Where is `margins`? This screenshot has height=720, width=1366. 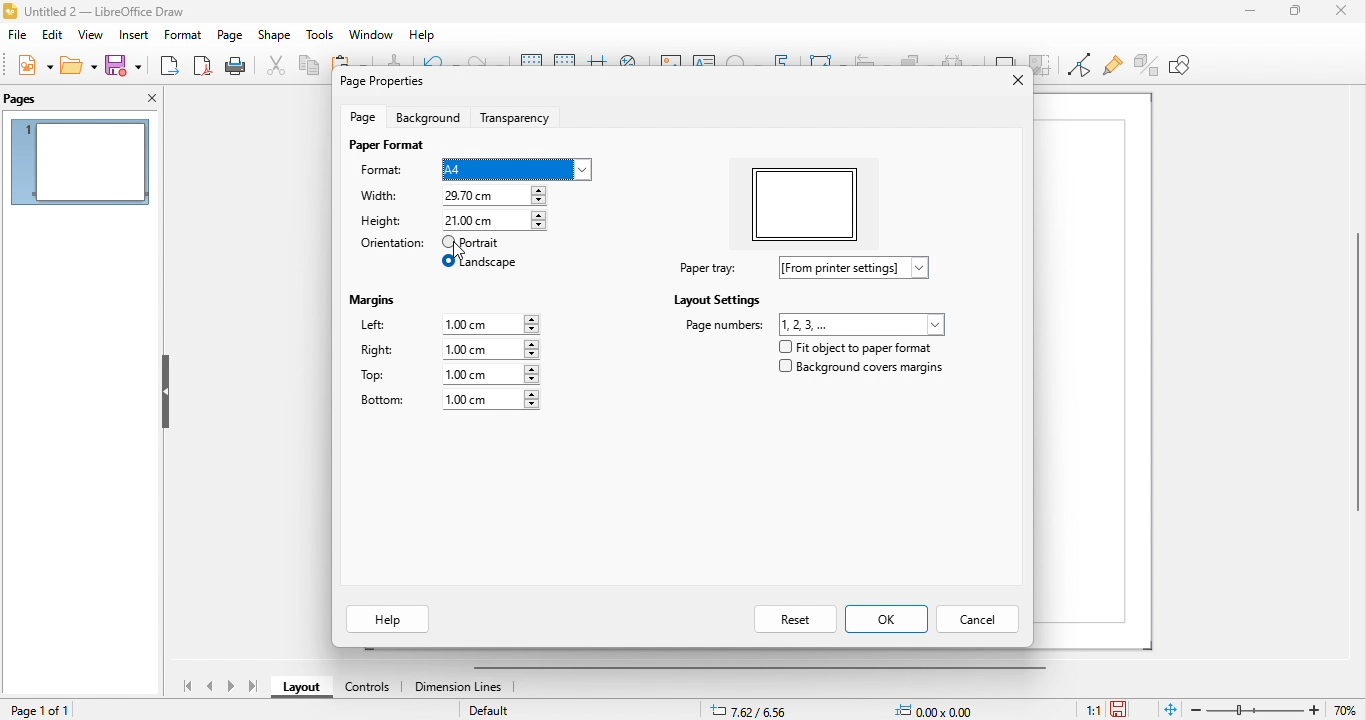
margins is located at coordinates (371, 300).